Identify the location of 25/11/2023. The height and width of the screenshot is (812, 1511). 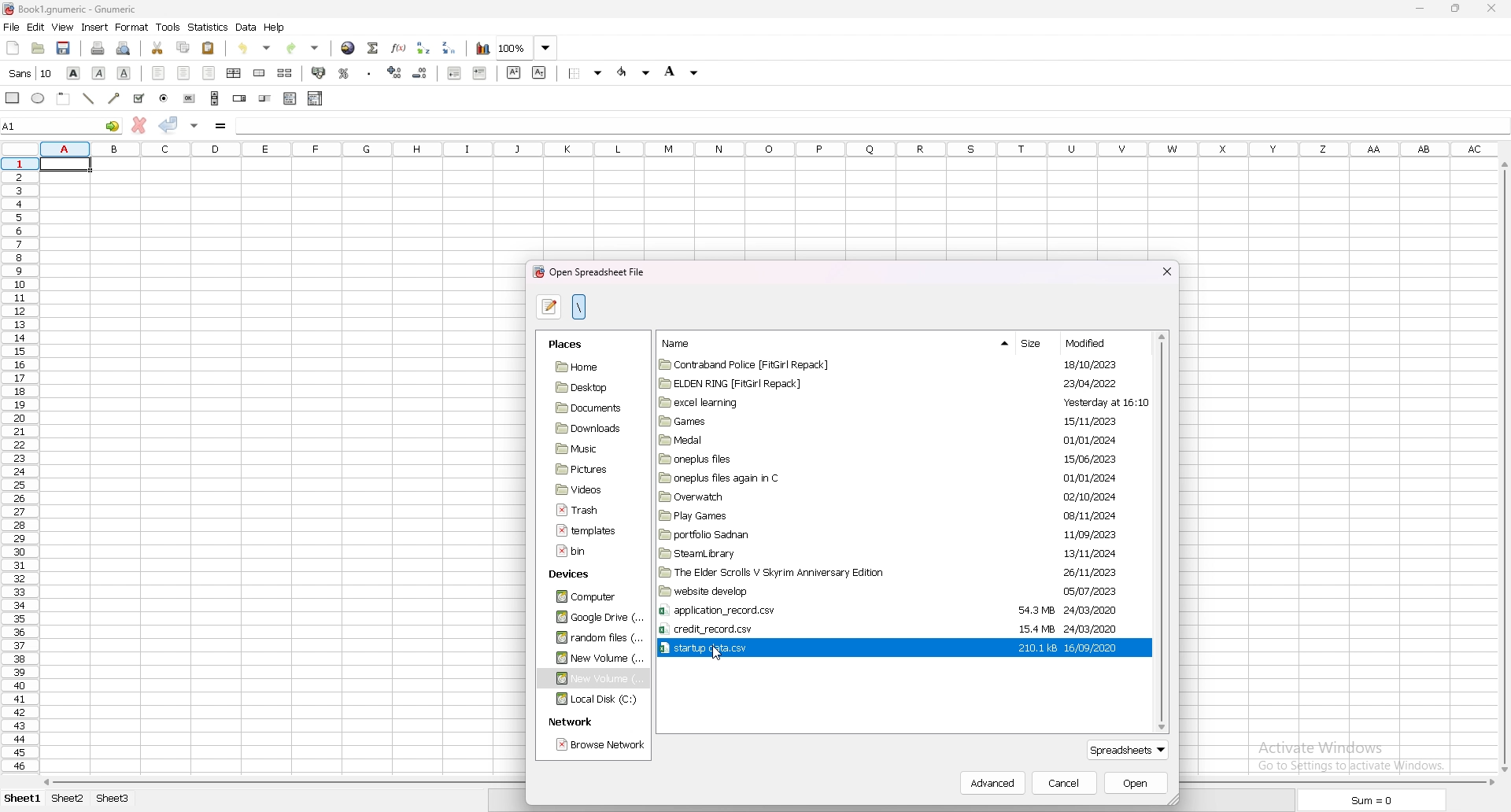
(1085, 572).